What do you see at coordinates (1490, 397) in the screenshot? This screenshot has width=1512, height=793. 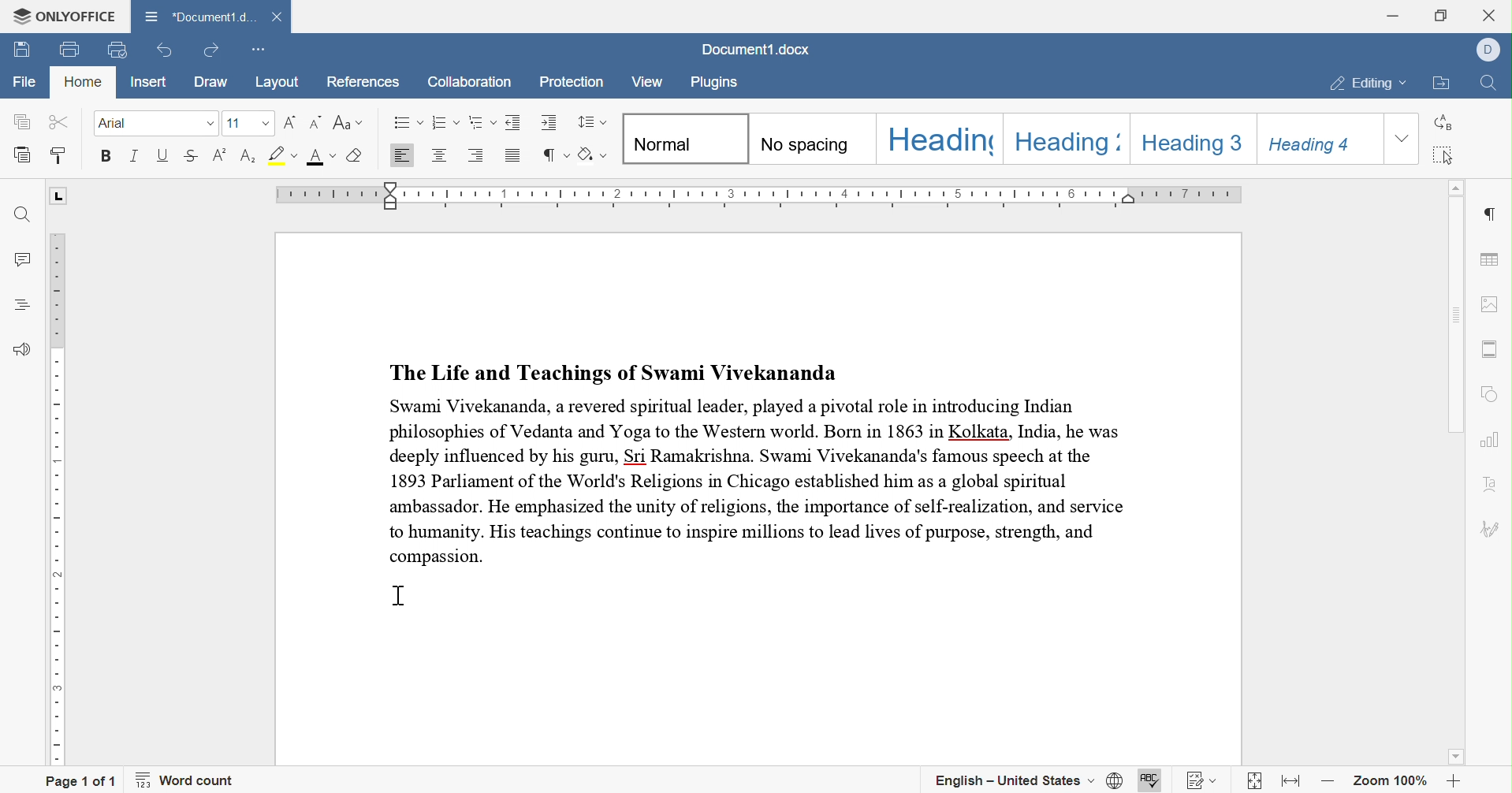 I see `shape settings` at bounding box center [1490, 397].